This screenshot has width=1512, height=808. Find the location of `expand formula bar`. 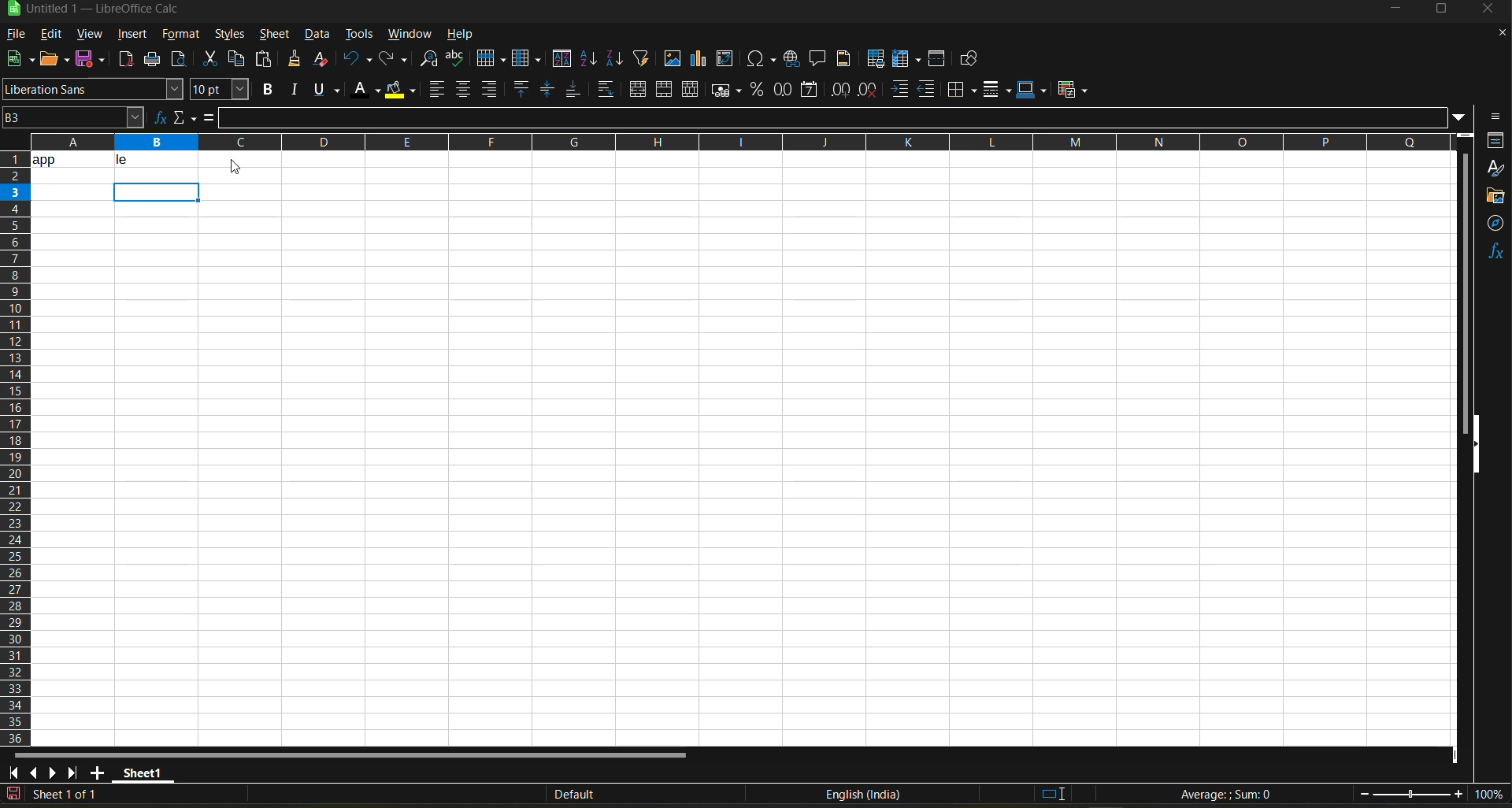

expand formula bar is located at coordinates (1459, 116).